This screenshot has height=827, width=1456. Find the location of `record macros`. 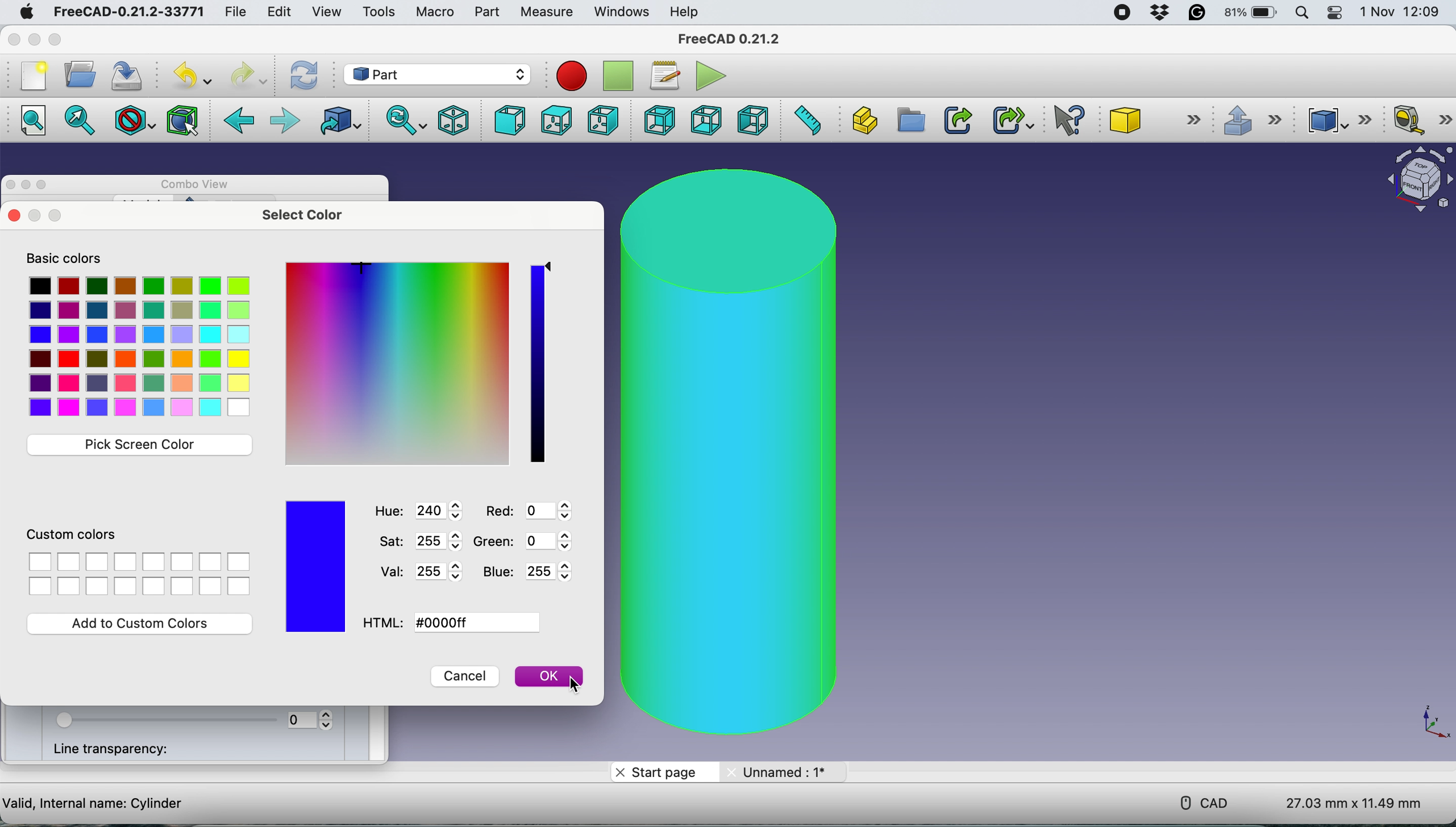

record macros is located at coordinates (570, 76).